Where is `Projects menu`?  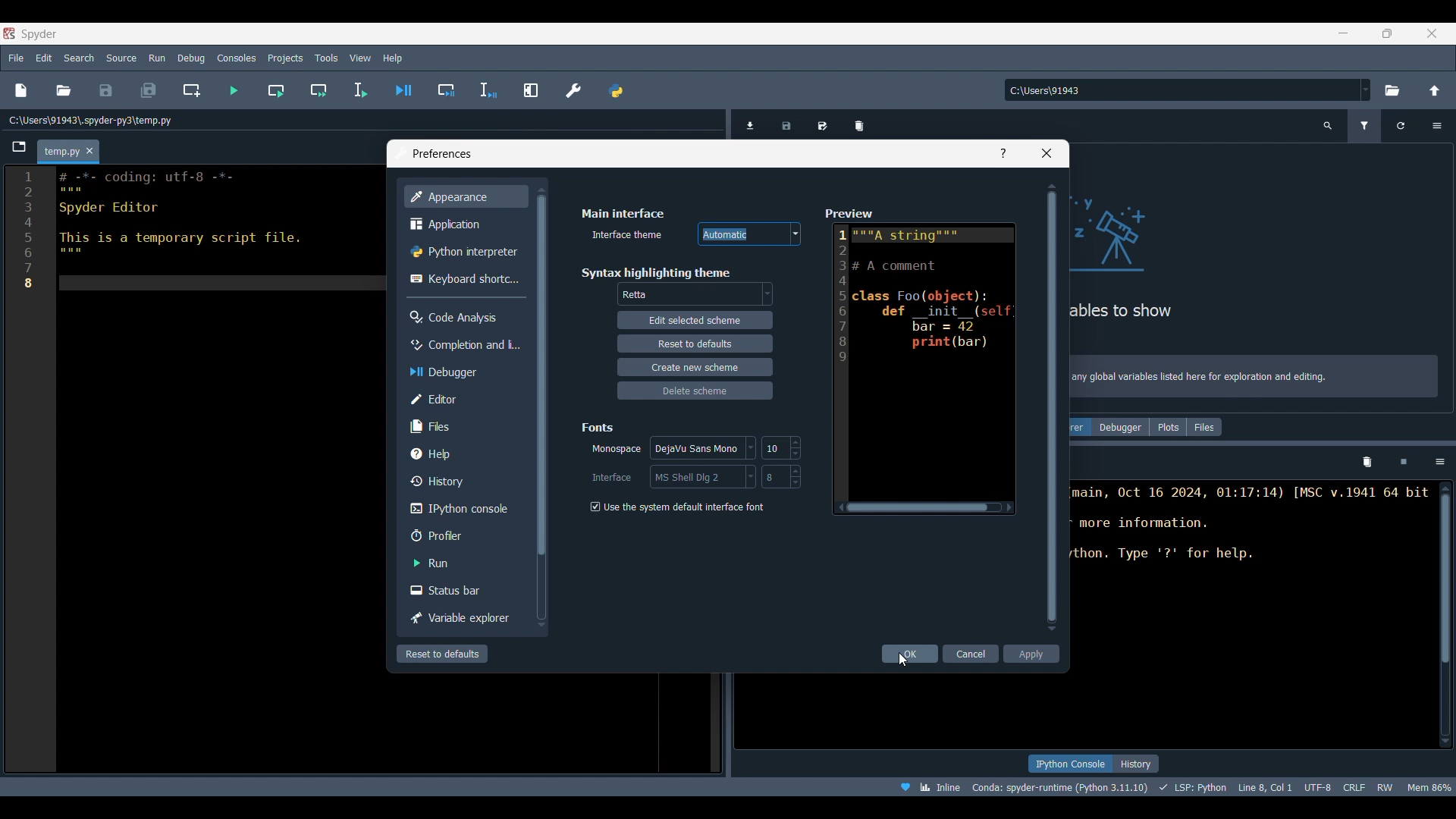 Projects menu is located at coordinates (284, 57).